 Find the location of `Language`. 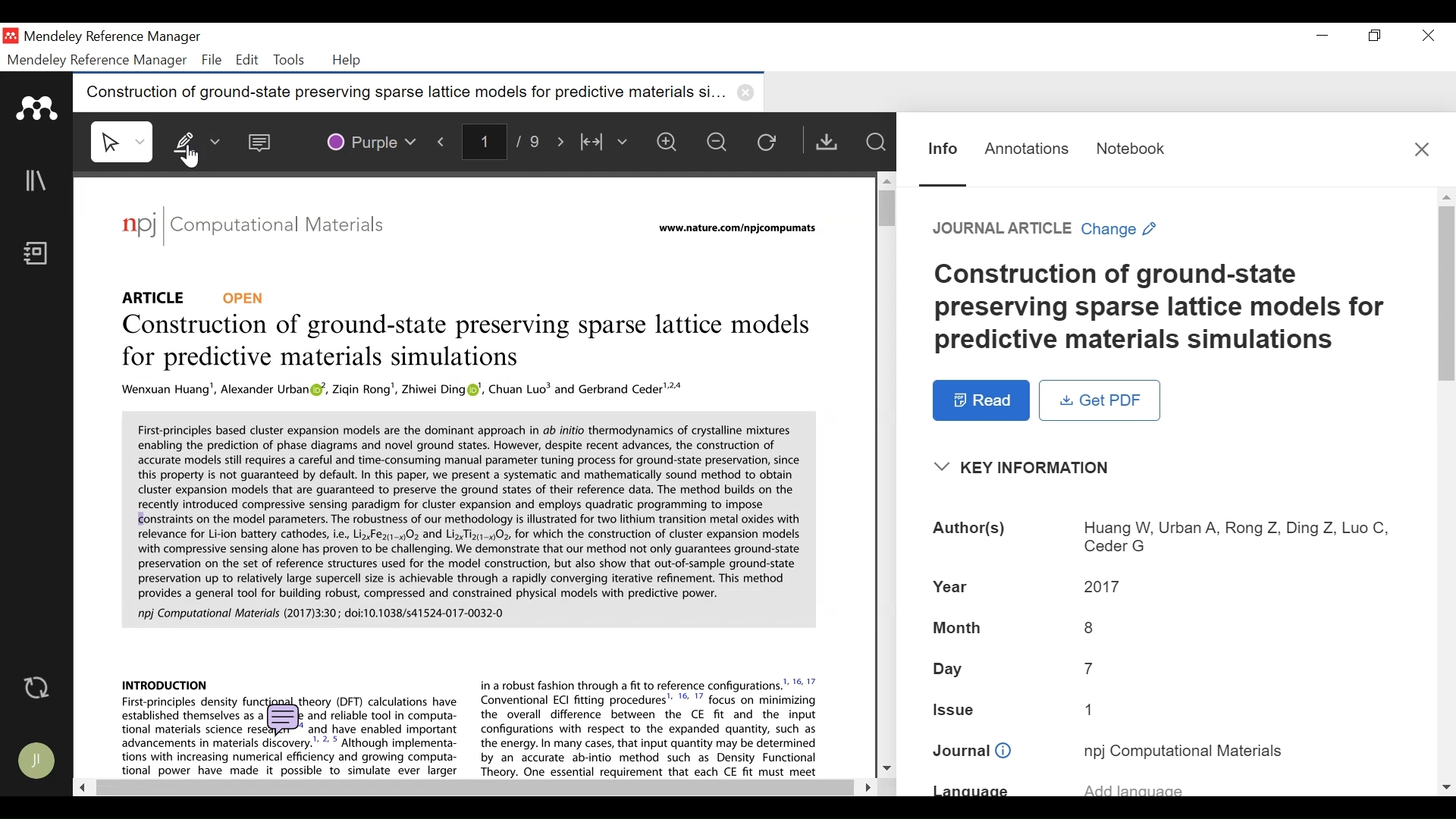

Language is located at coordinates (971, 790).